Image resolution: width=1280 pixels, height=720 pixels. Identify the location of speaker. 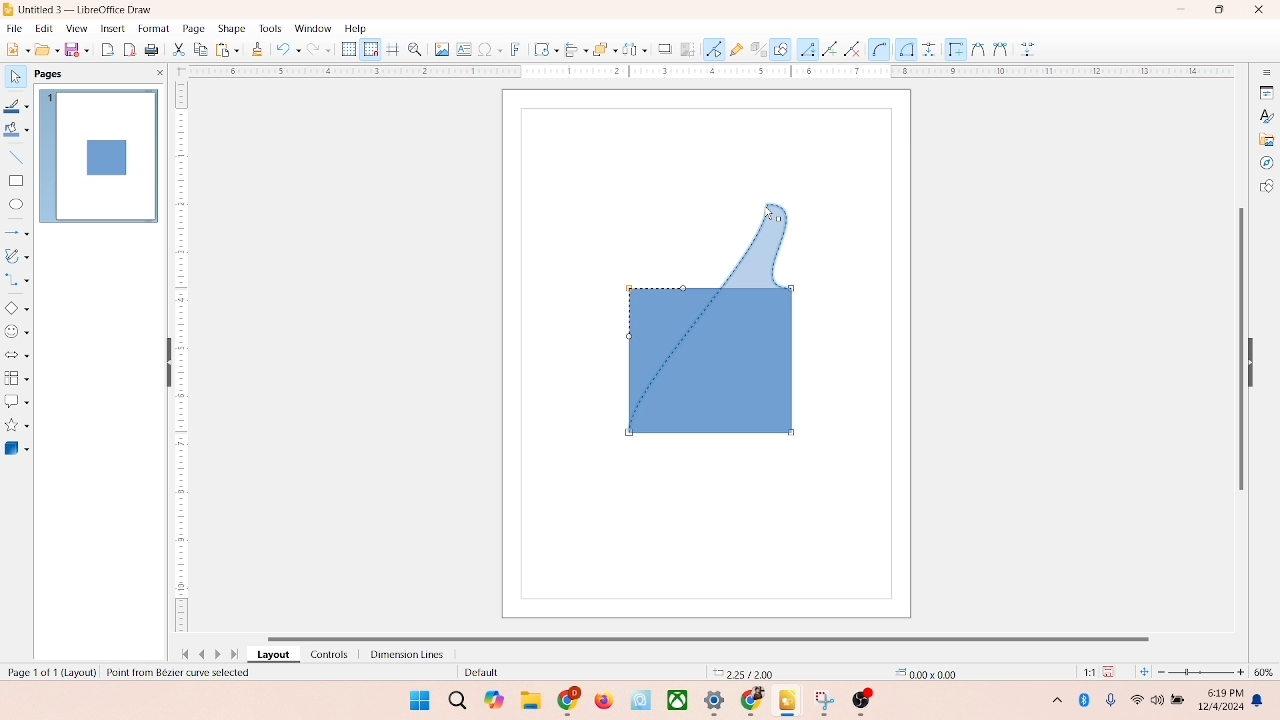
(1160, 700).